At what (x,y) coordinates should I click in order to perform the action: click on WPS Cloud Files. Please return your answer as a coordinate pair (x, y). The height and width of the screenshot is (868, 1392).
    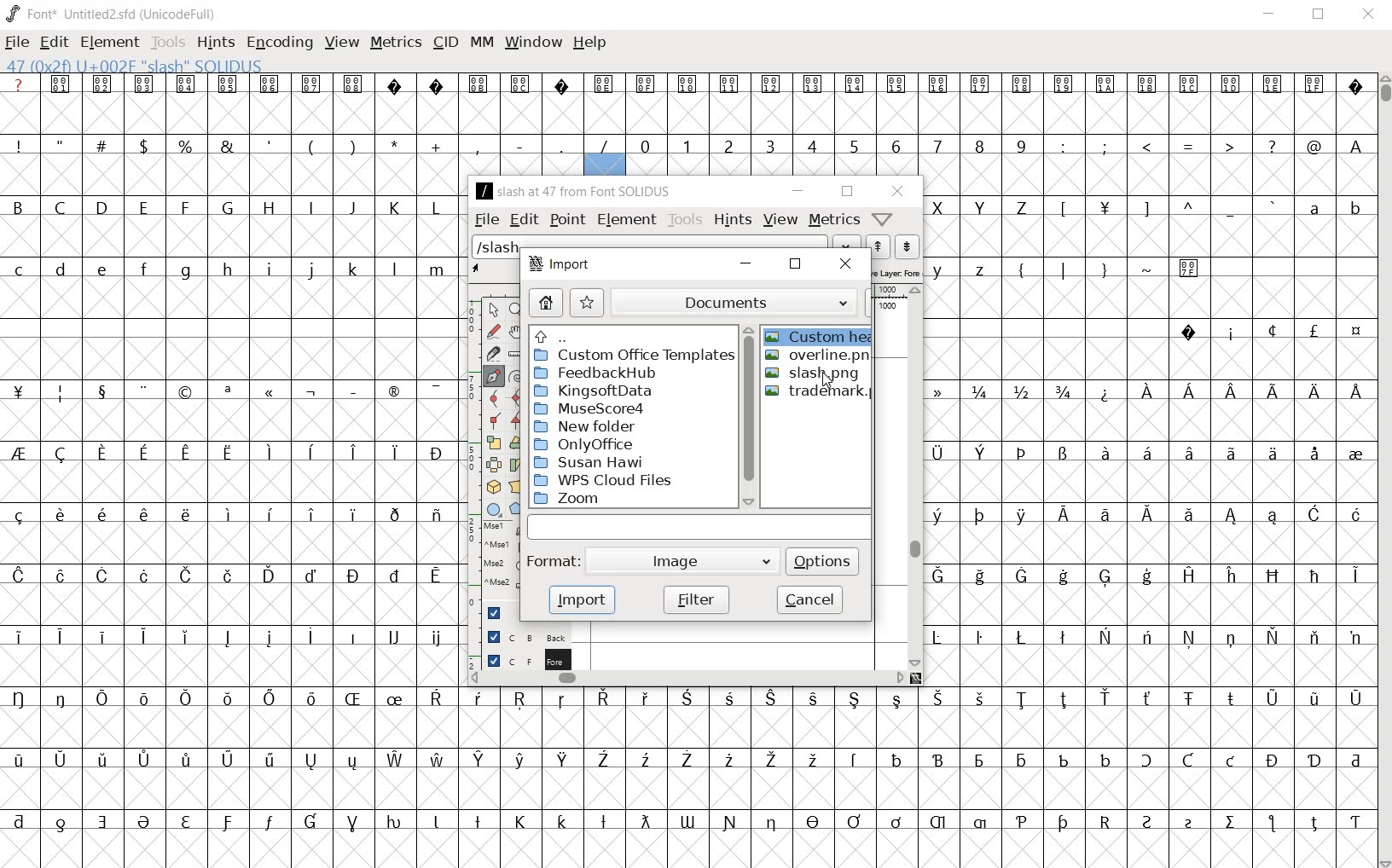
    Looking at the image, I should click on (602, 481).